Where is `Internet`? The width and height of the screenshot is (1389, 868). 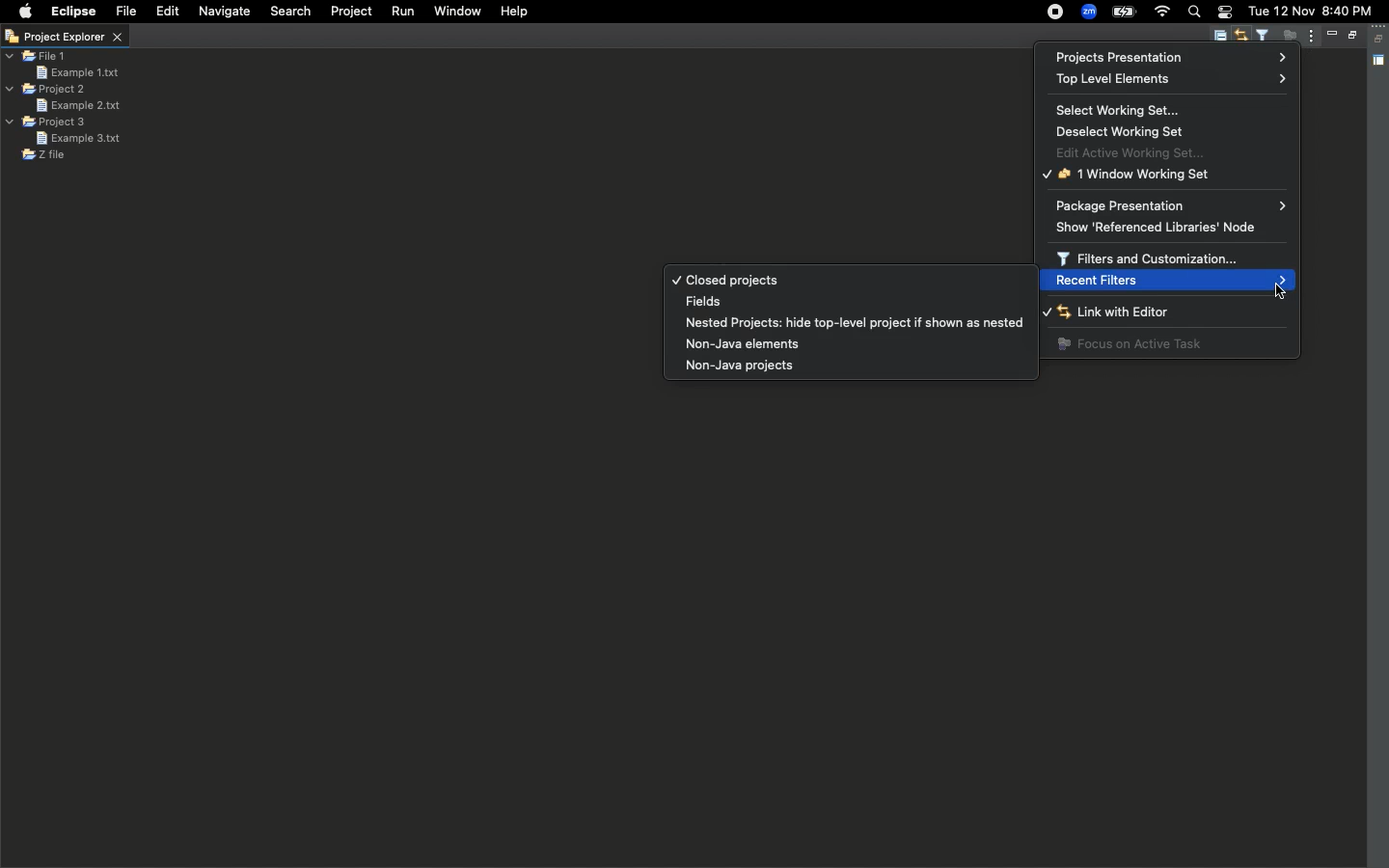 Internet is located at coordinates (1162, 12).